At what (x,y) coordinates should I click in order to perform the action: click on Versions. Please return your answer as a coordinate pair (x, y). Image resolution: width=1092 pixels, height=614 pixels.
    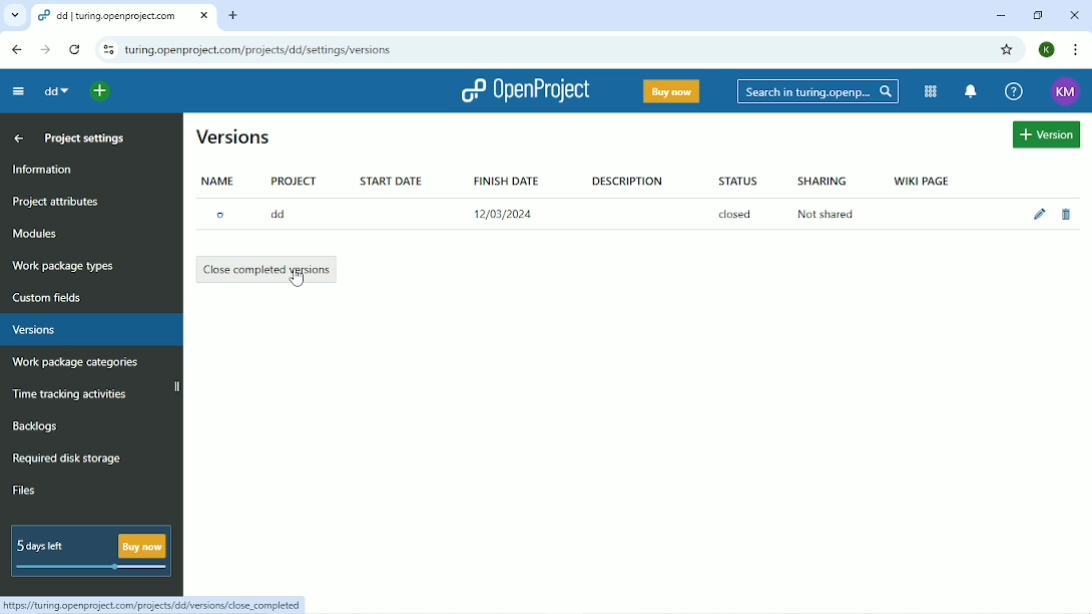
    Looking at the image, I should click on (235, 136).